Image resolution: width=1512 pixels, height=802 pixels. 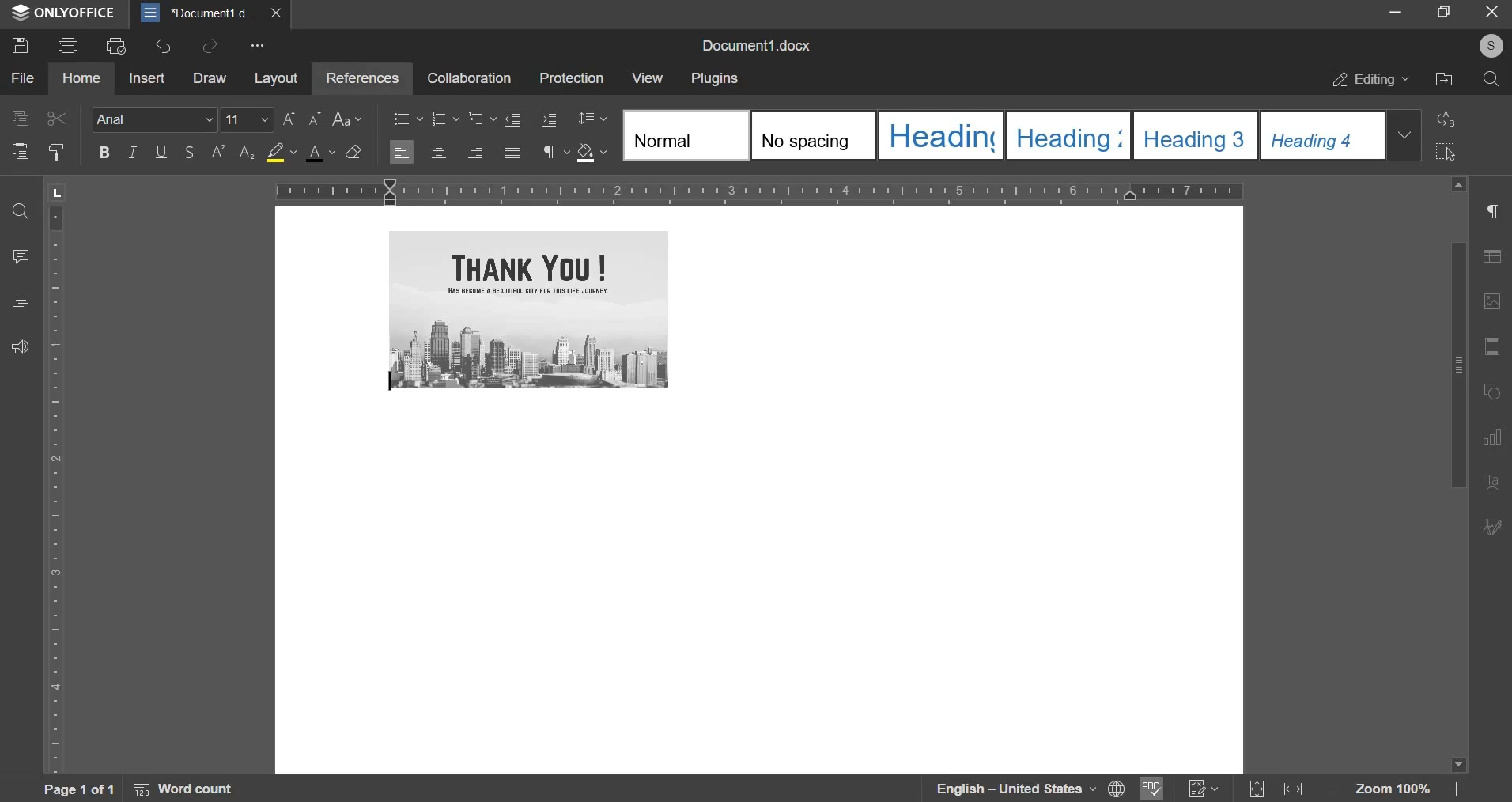 I want to click on Heading Dropdown Menu, so click(x=1404, y=134).